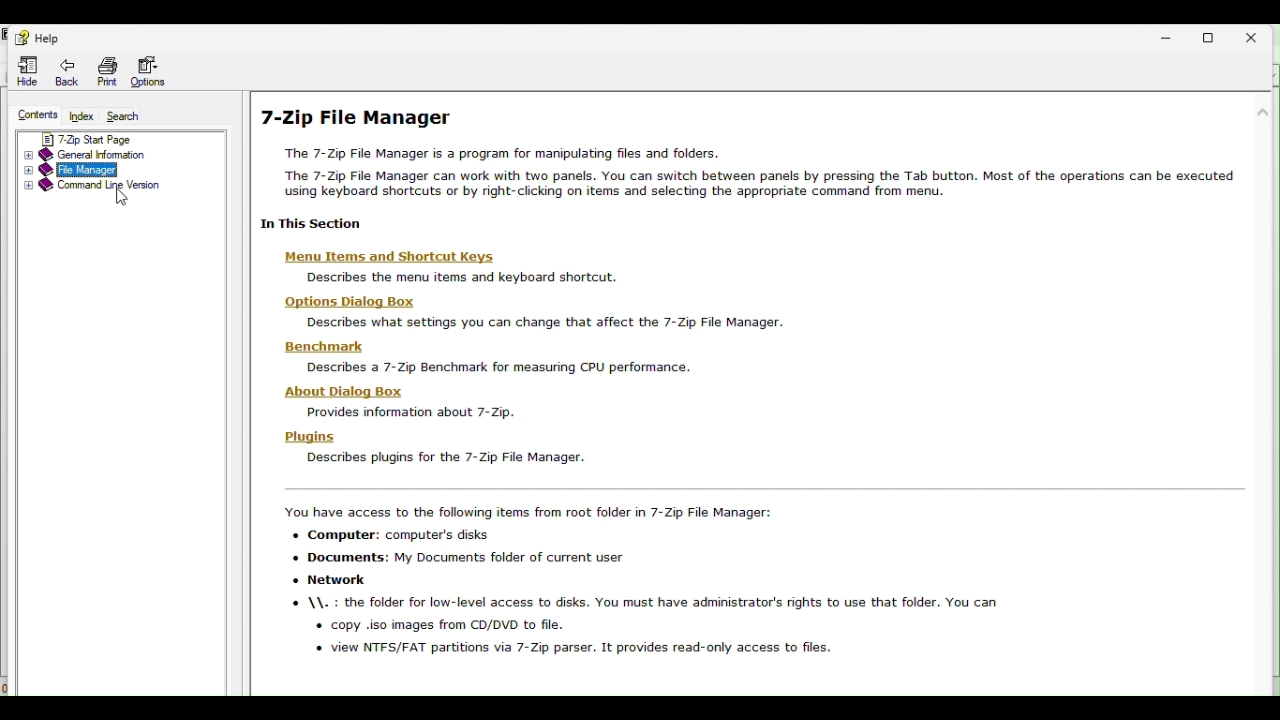 The image size is (1280, 720). What do you see at coordinates (31, 116) in the screenshot?
I see `Content` at bounding box center [31, 116].